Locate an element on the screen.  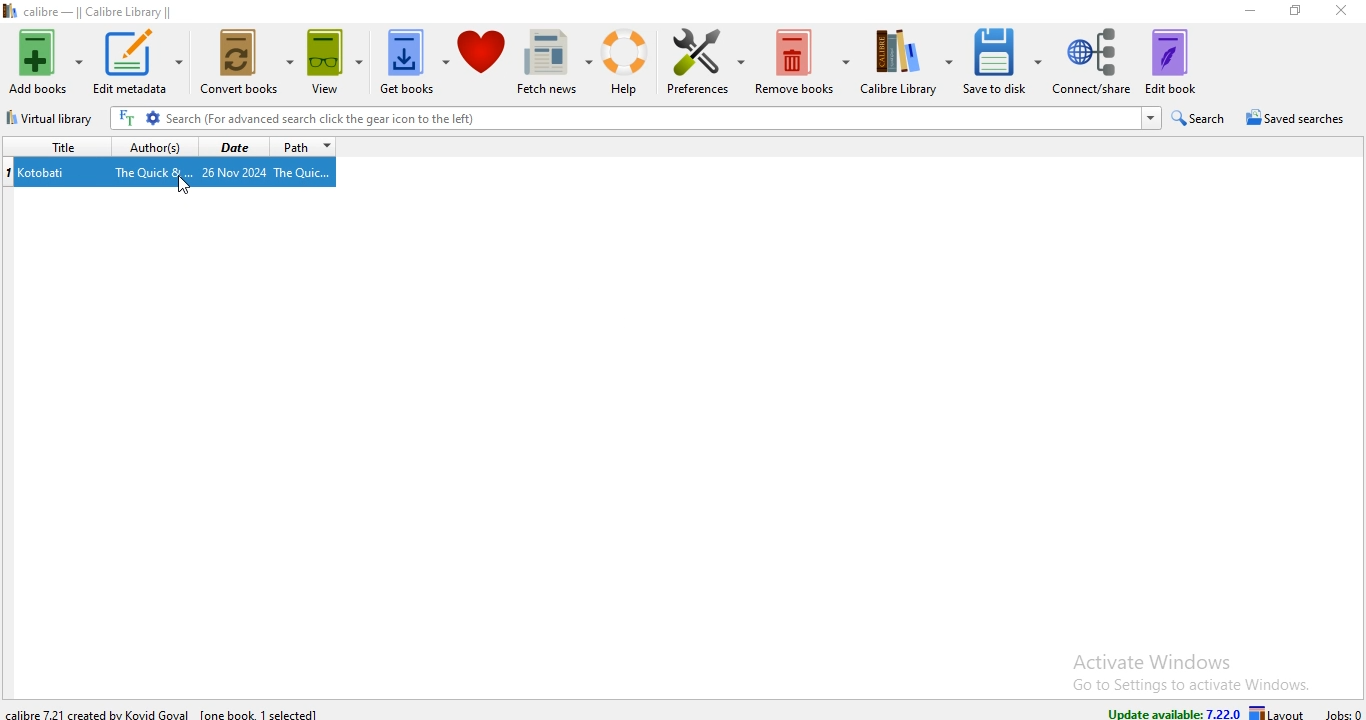
layout is located at coordinates (1281, 712).